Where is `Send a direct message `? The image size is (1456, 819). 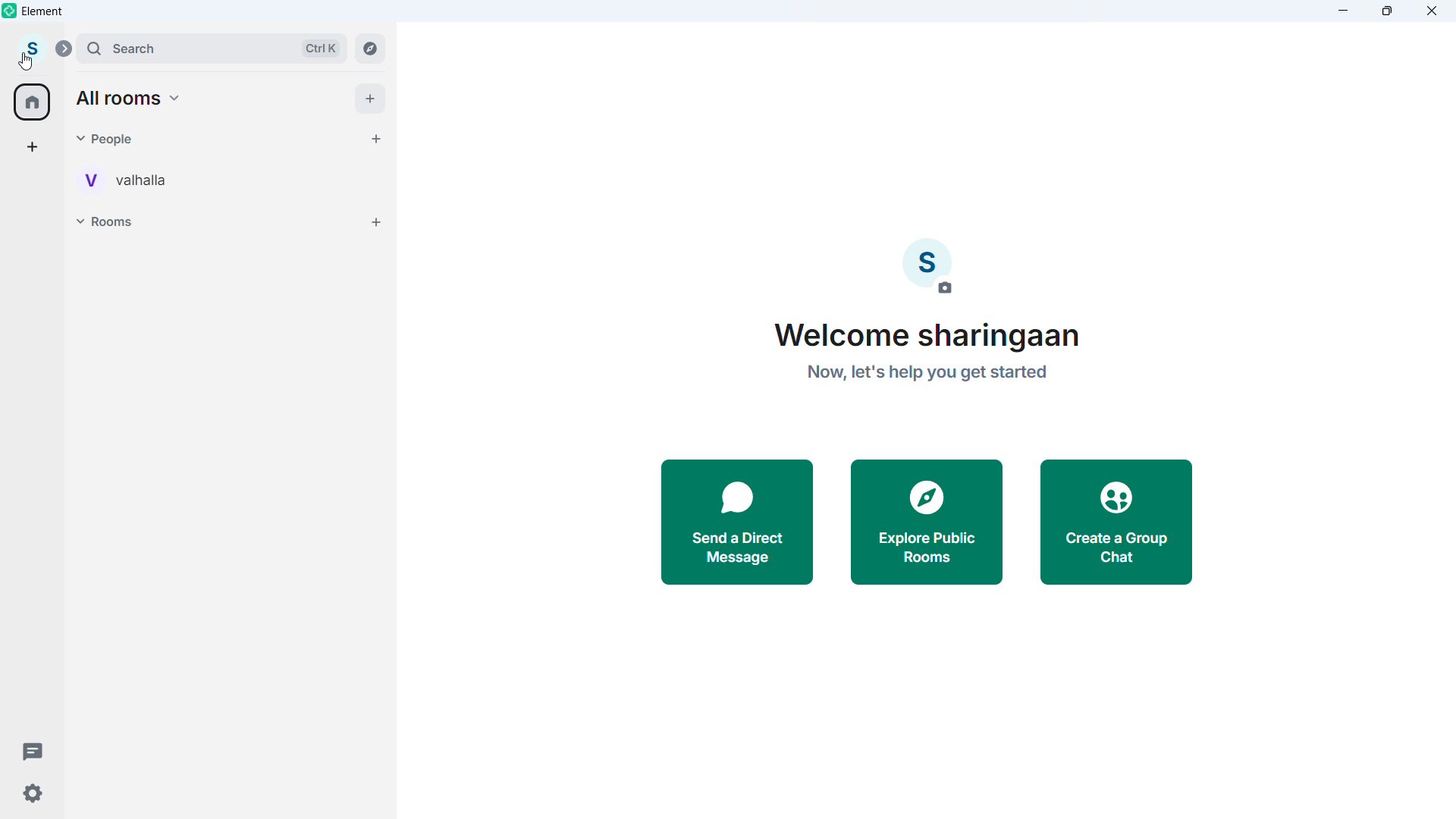 Send a direct message  is located at coordinates (737, 522).